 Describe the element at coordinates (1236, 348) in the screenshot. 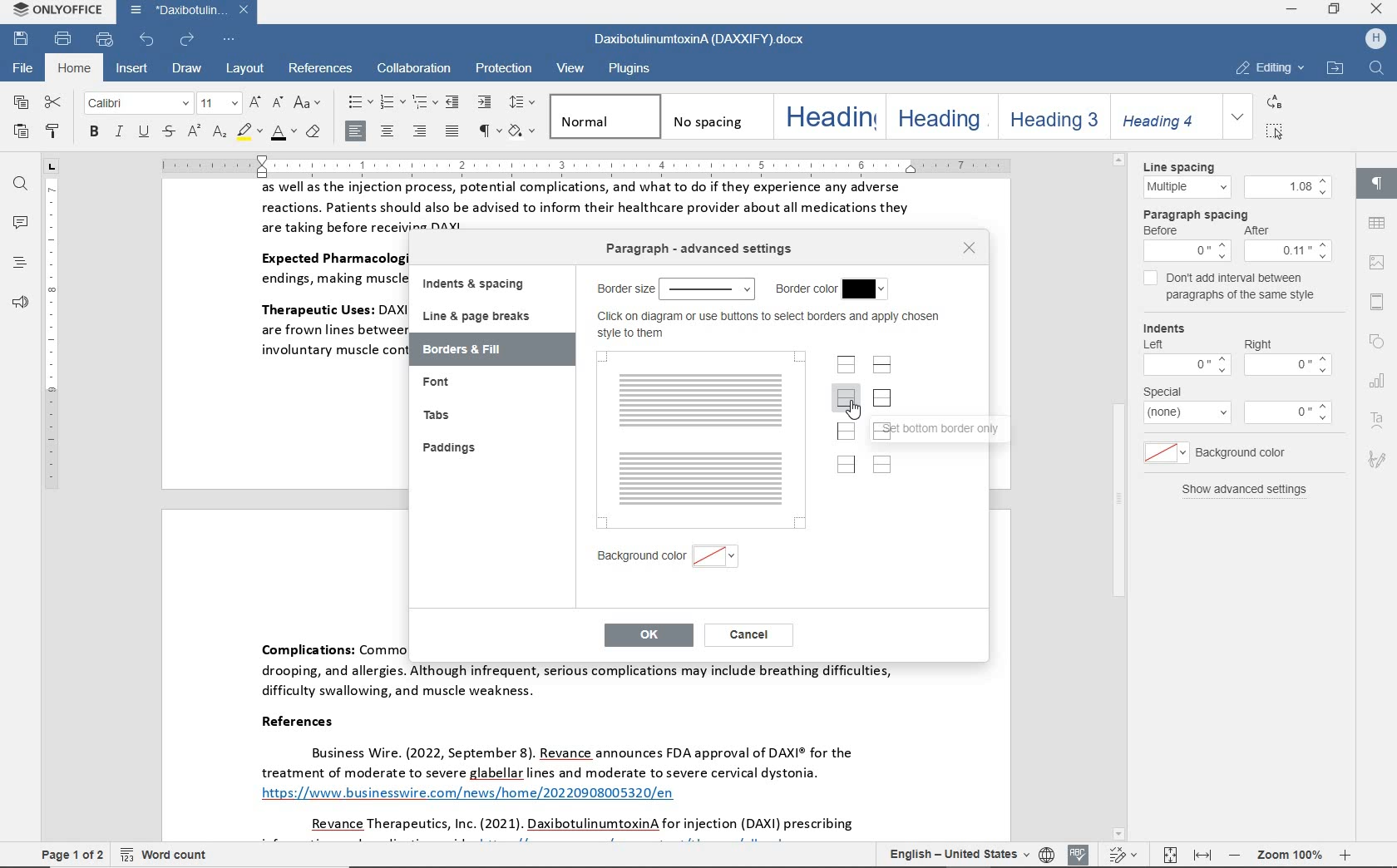

I see `Indents` at that location.